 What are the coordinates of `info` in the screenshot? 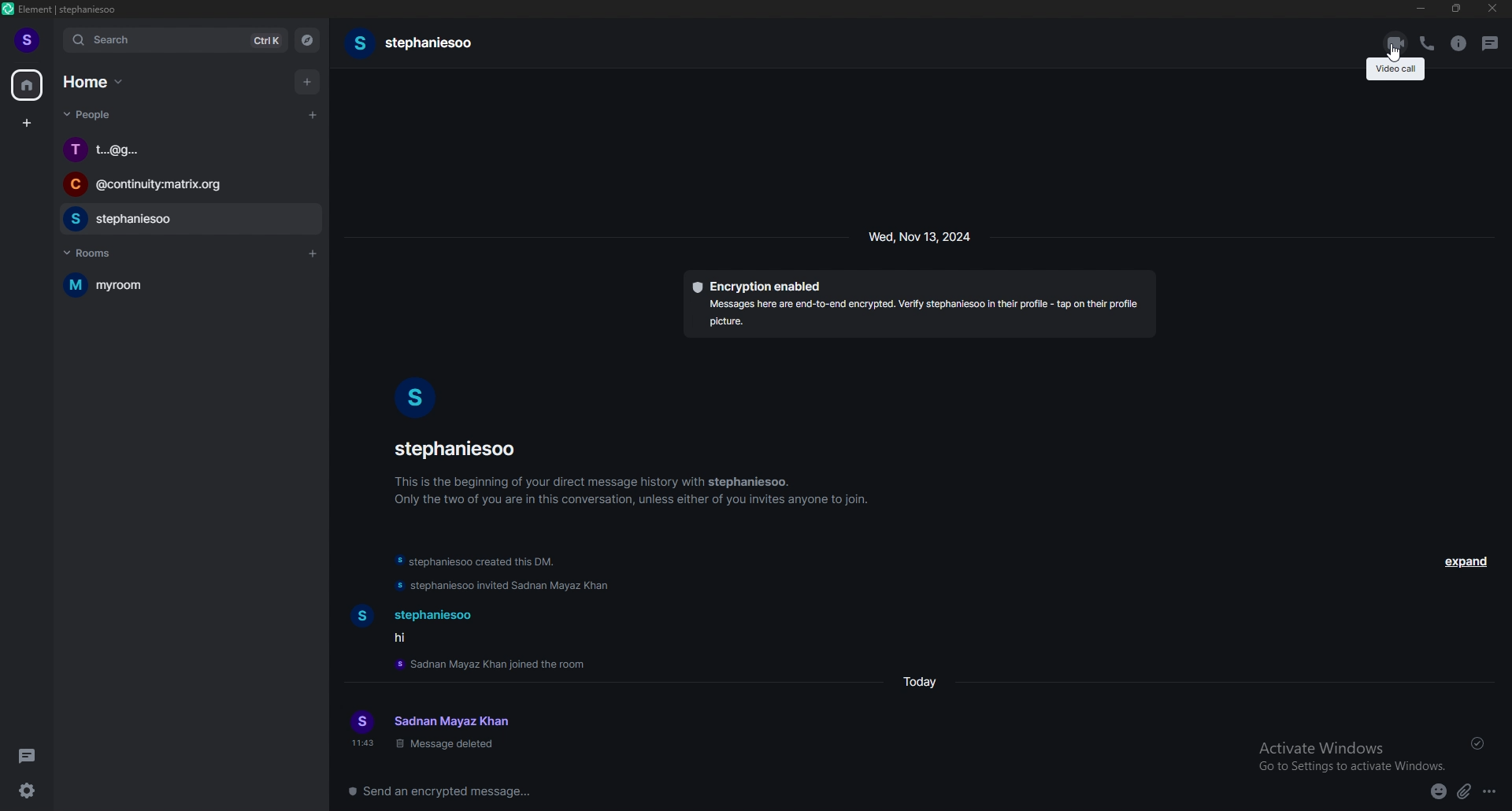 It's located at (633, 490).